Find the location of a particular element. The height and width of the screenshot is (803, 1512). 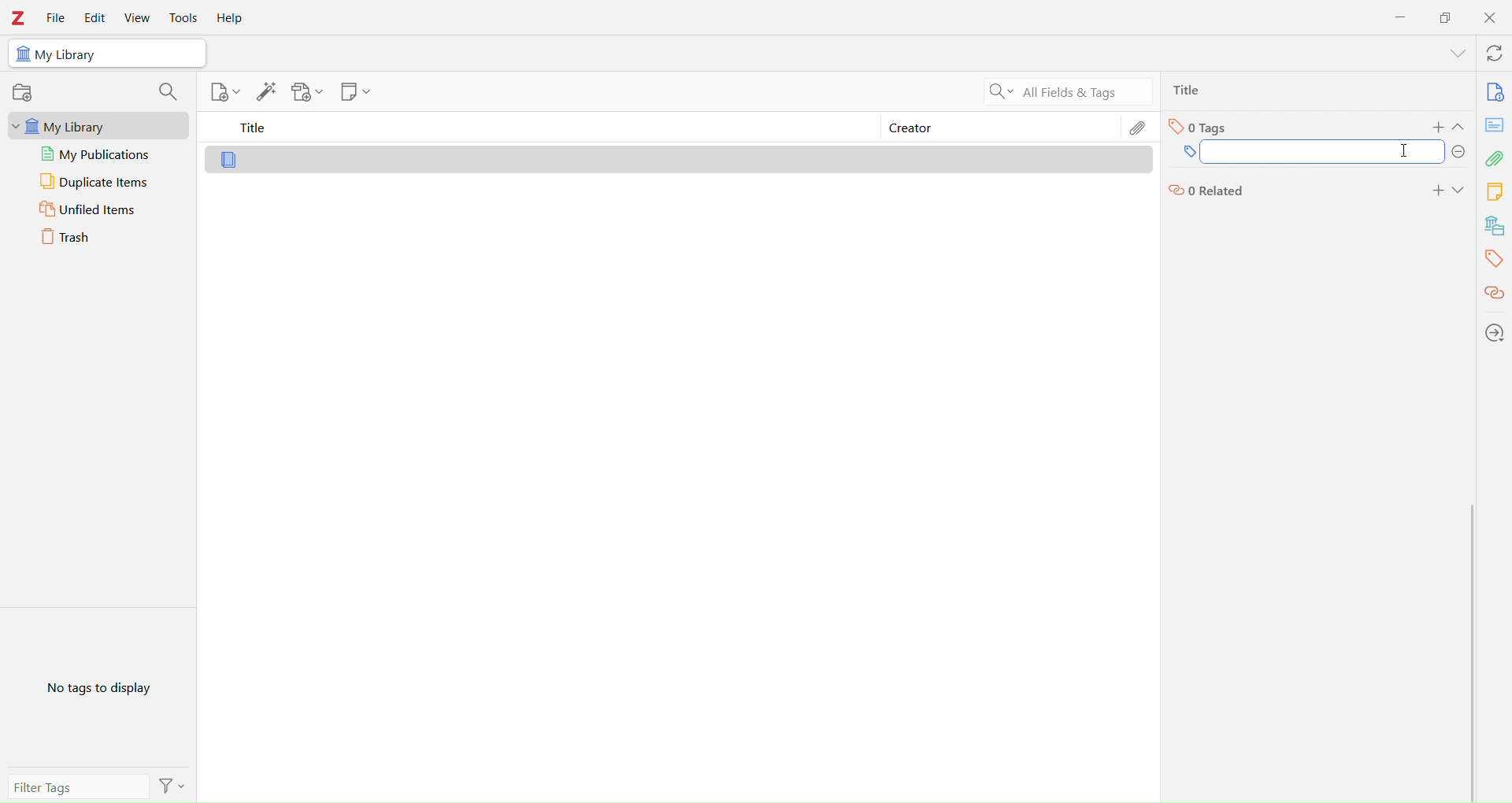

Trash is located at coordinates (65, 236).